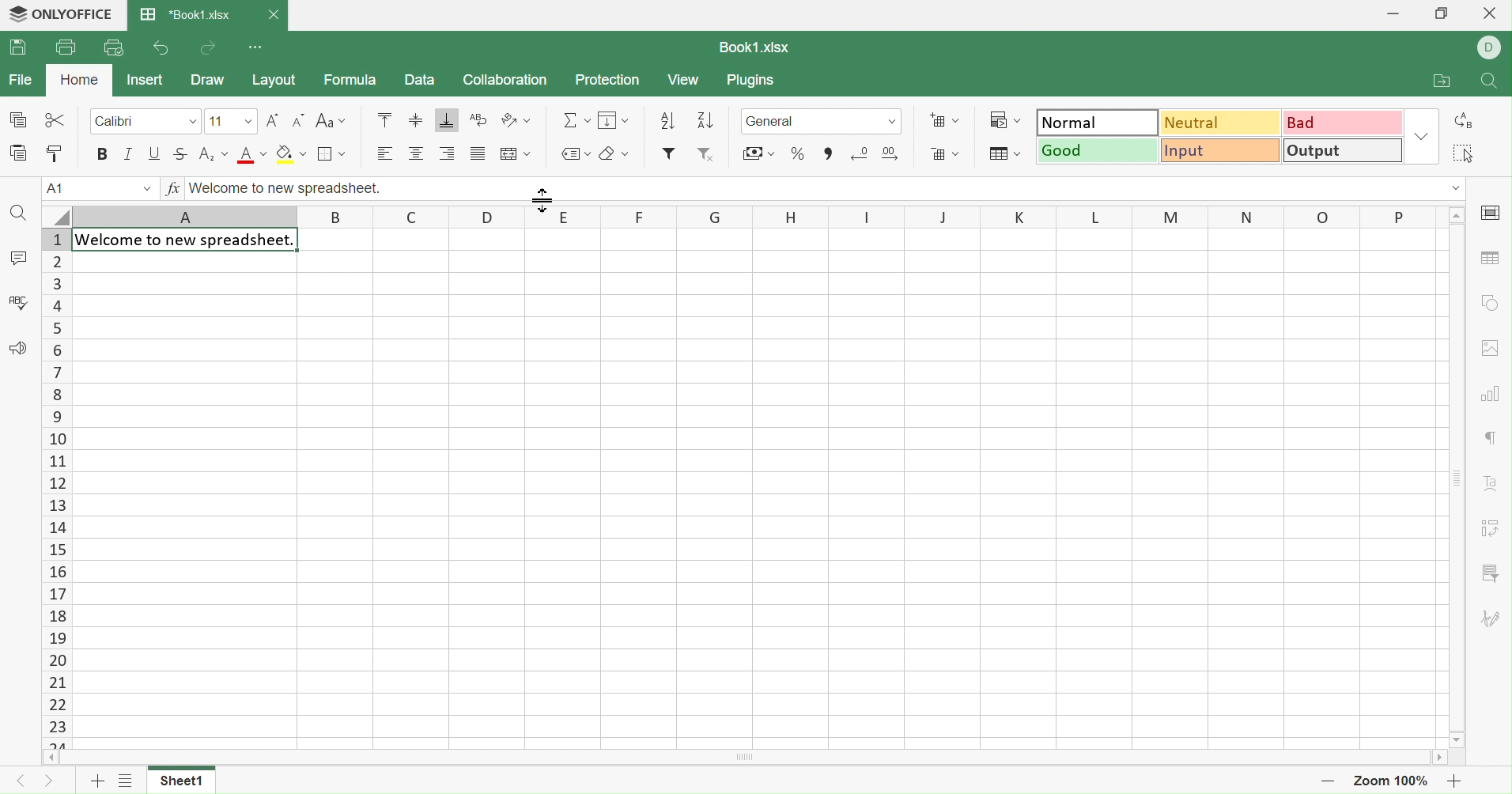 This screenshot has height=794, width=1512. What do you see at coordinates (291, 153) in the screenshot?
I see `Fill color` at bounding box center [291, 153].